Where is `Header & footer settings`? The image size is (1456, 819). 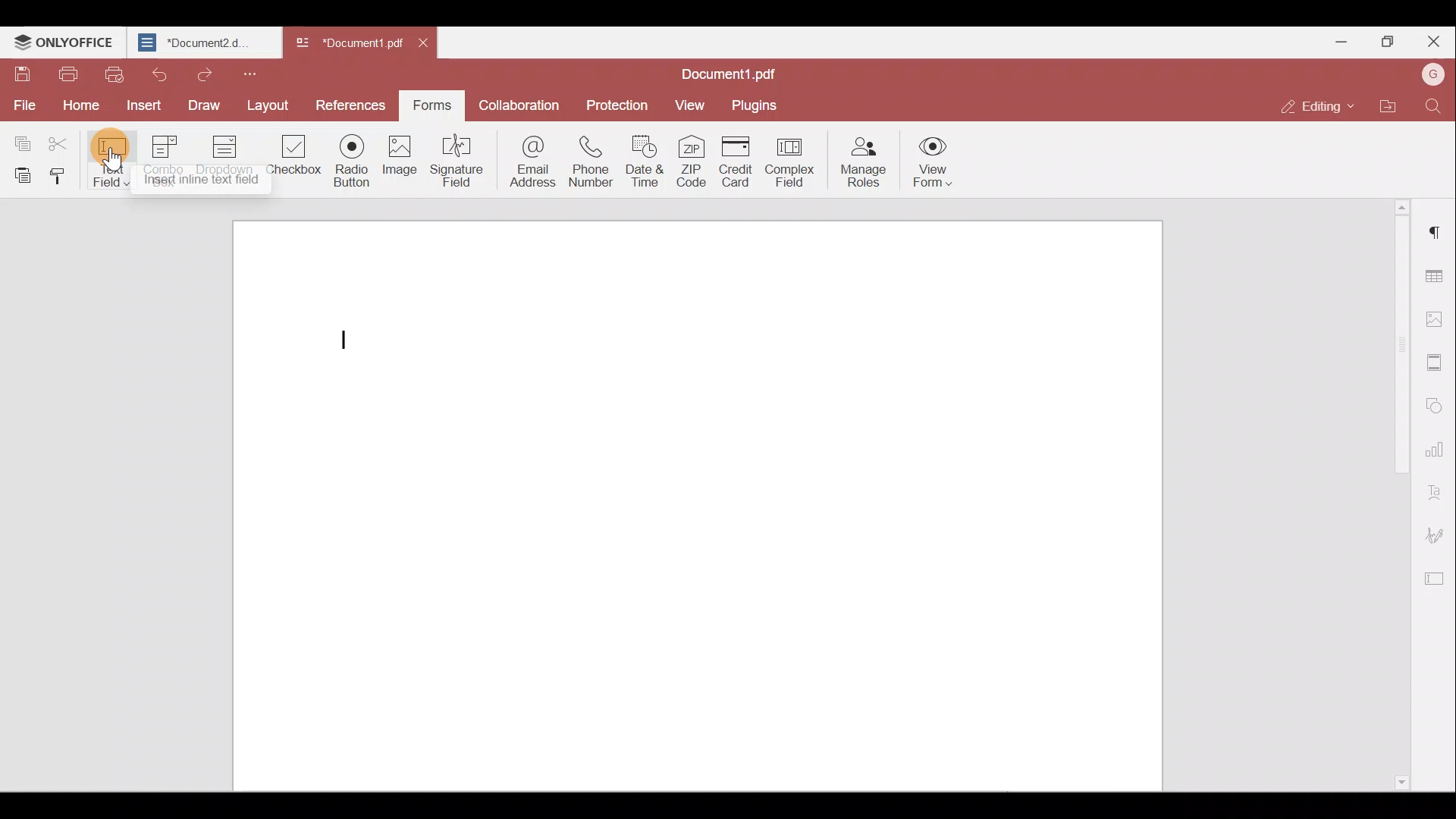 Header & footer settings is located at coordinates (1437, 362).